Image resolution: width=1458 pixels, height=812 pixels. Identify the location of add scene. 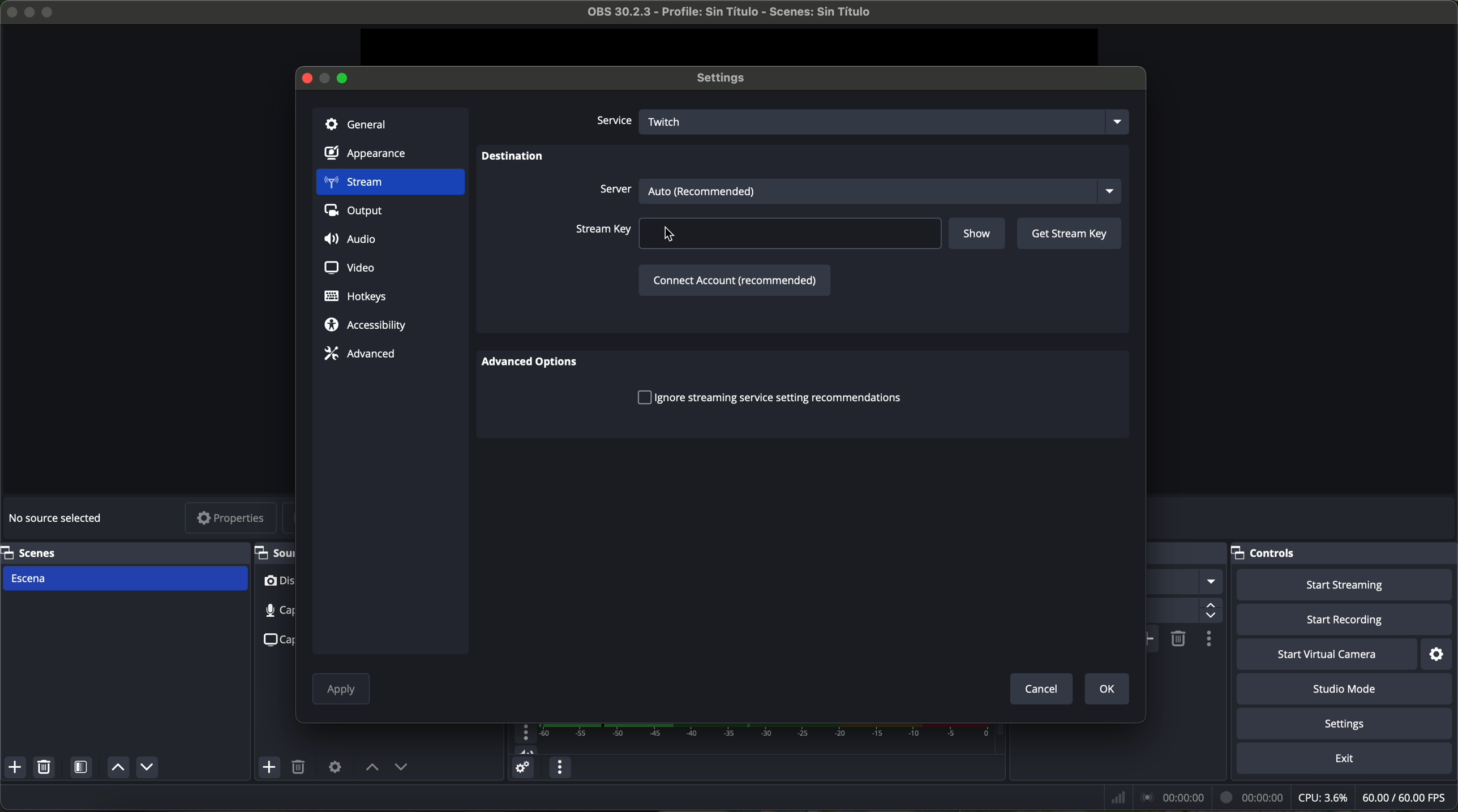
(15, 769).